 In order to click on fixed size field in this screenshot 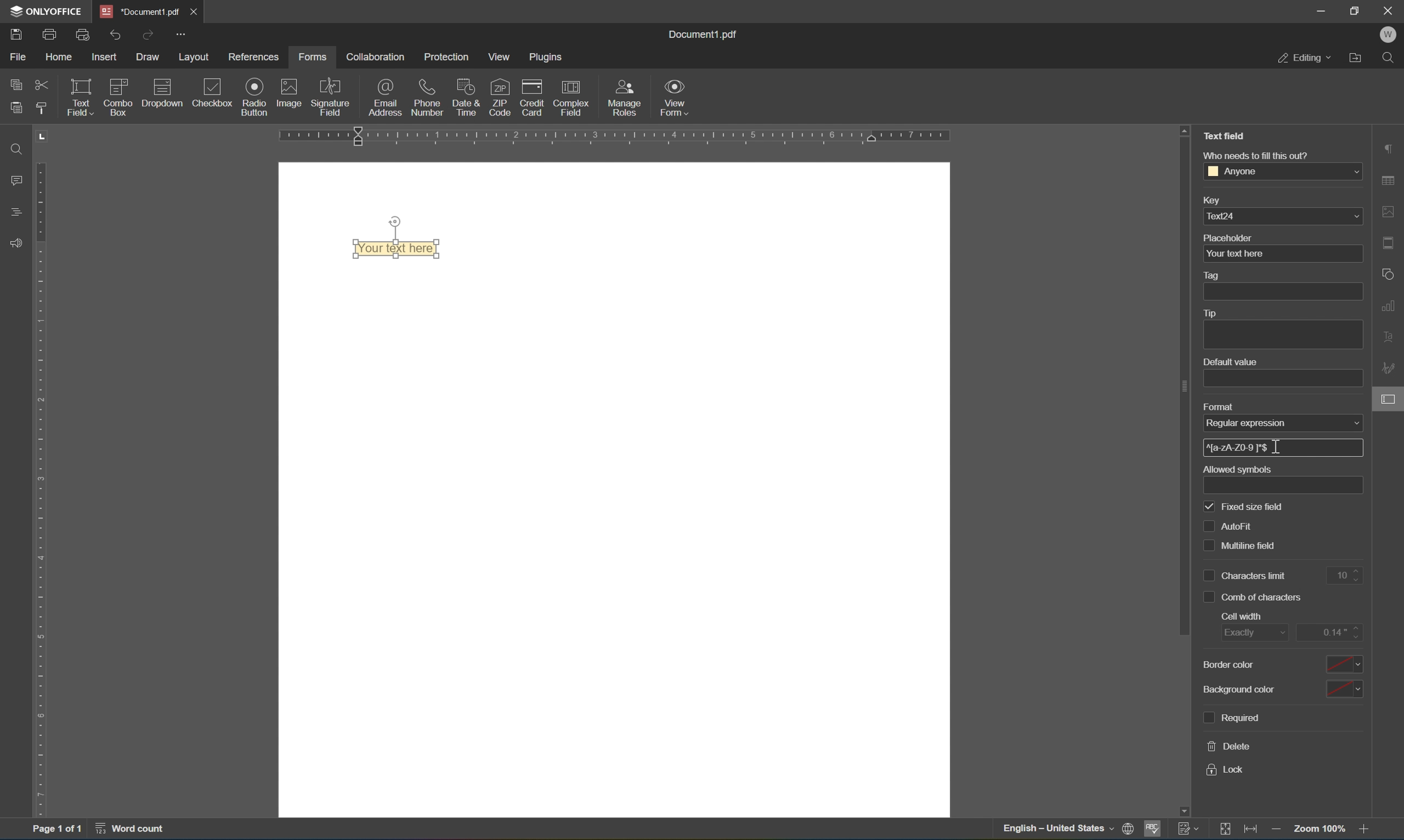, I will do `click(1244, 508)`.